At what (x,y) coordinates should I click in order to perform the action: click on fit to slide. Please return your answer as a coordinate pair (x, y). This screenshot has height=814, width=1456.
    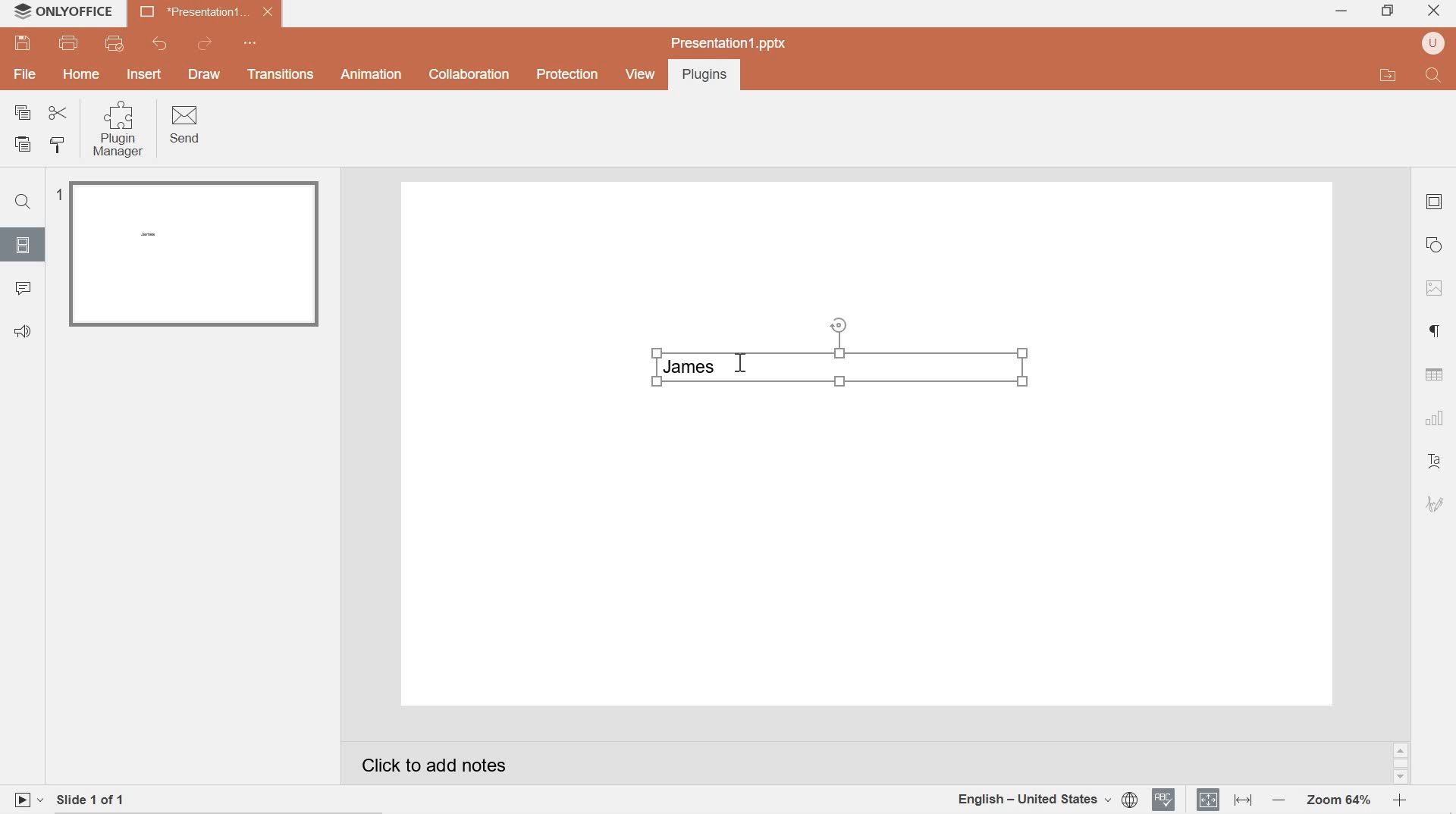
    Looking at the image, I should click on (1208, 800).